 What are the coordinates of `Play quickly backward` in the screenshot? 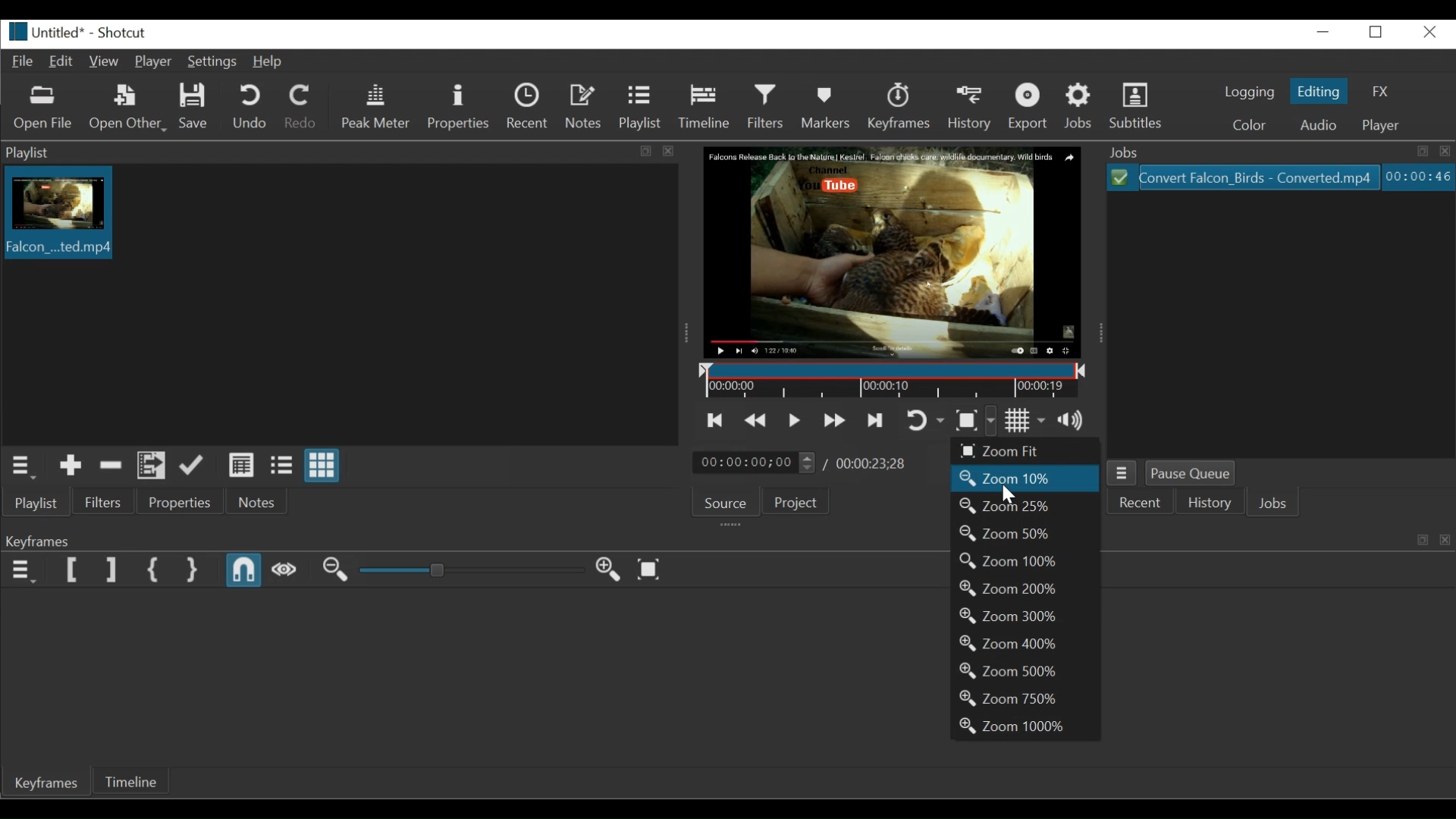 It's located at (757, 421).